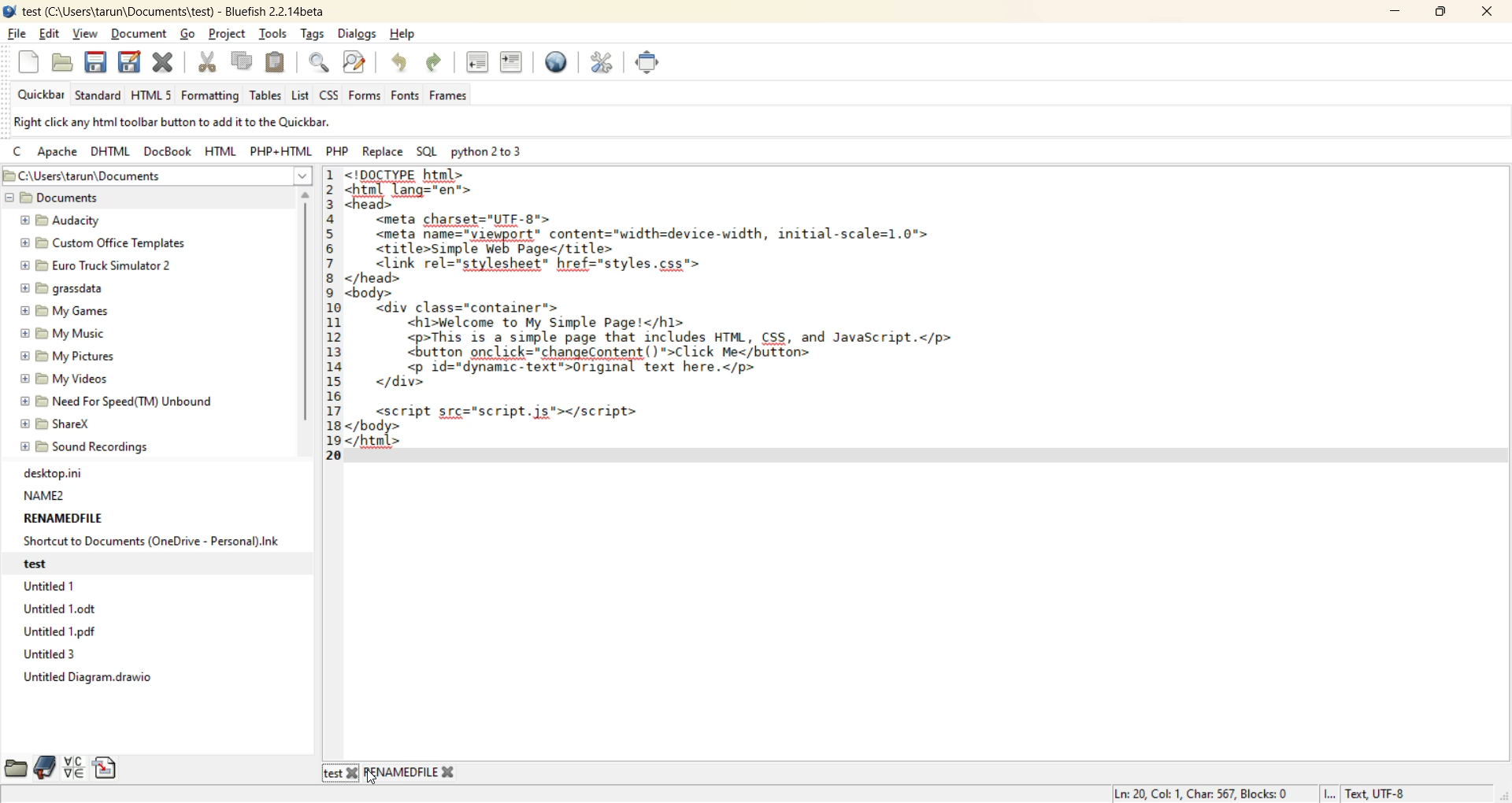  I want to click on charmap, so click(73, 767).